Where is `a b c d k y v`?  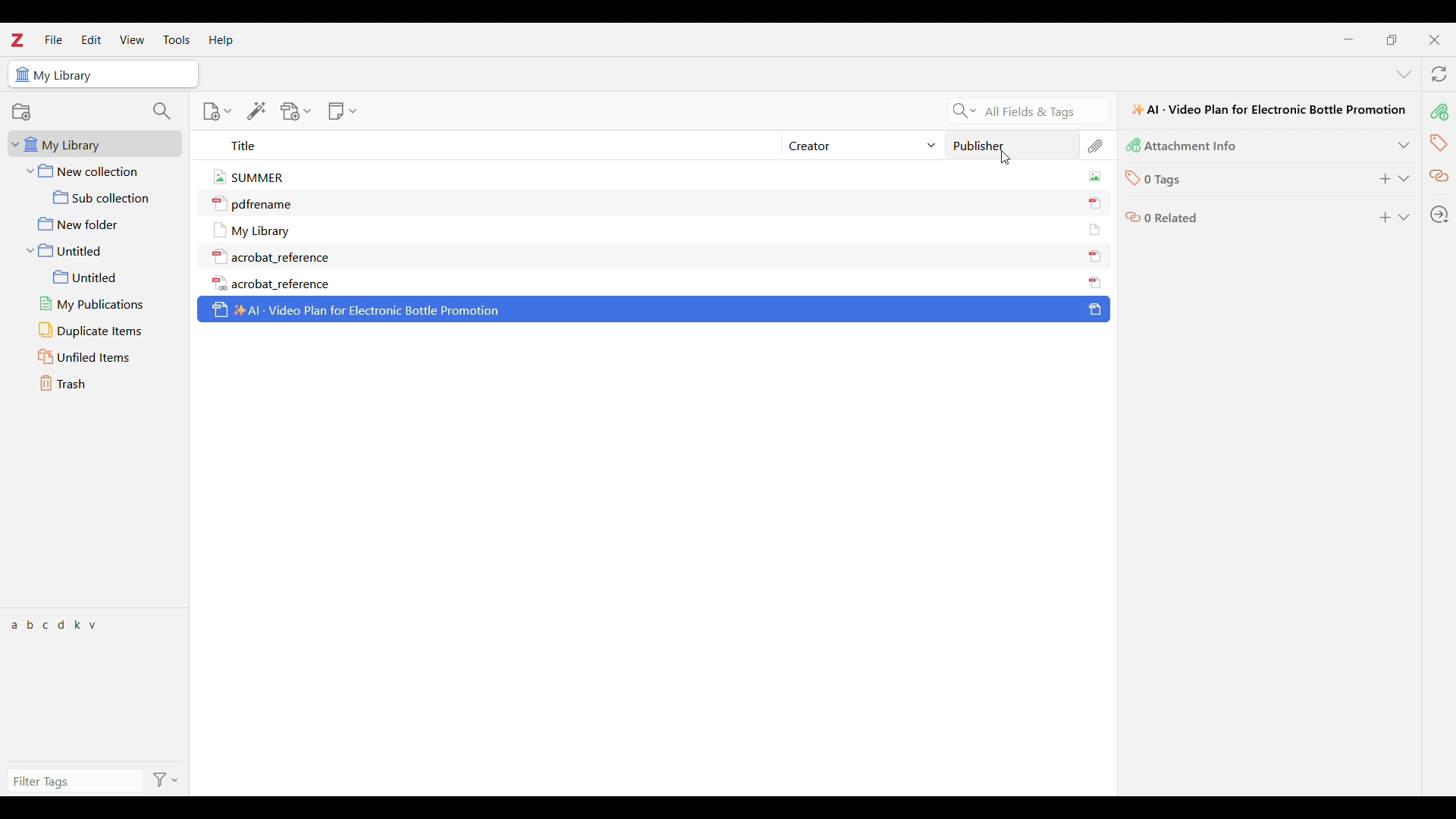
a b c d k y v is located at coordinates (59, 625).